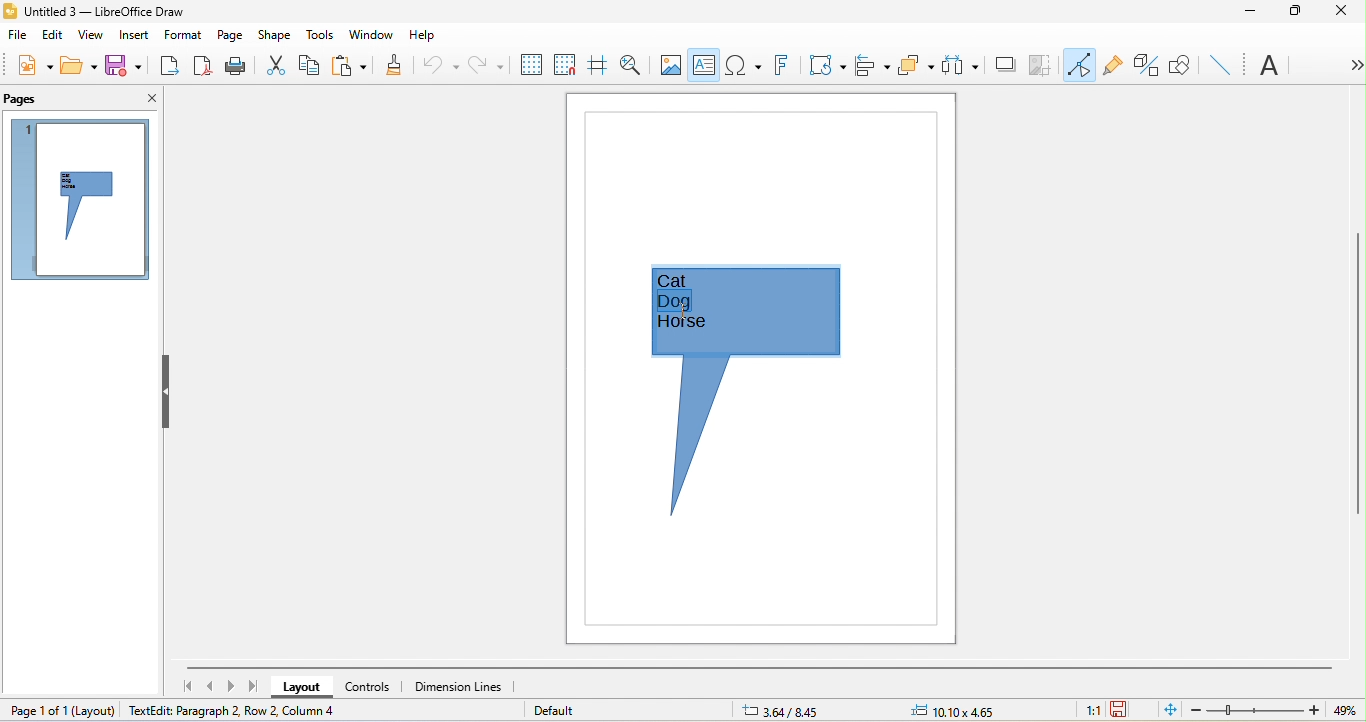 Image resolution: width=1366 pixels, height=722 pixels. Describe the element at coordinates (762, 666) in the screenshot. I see `horizontal scroll bar` at that location.